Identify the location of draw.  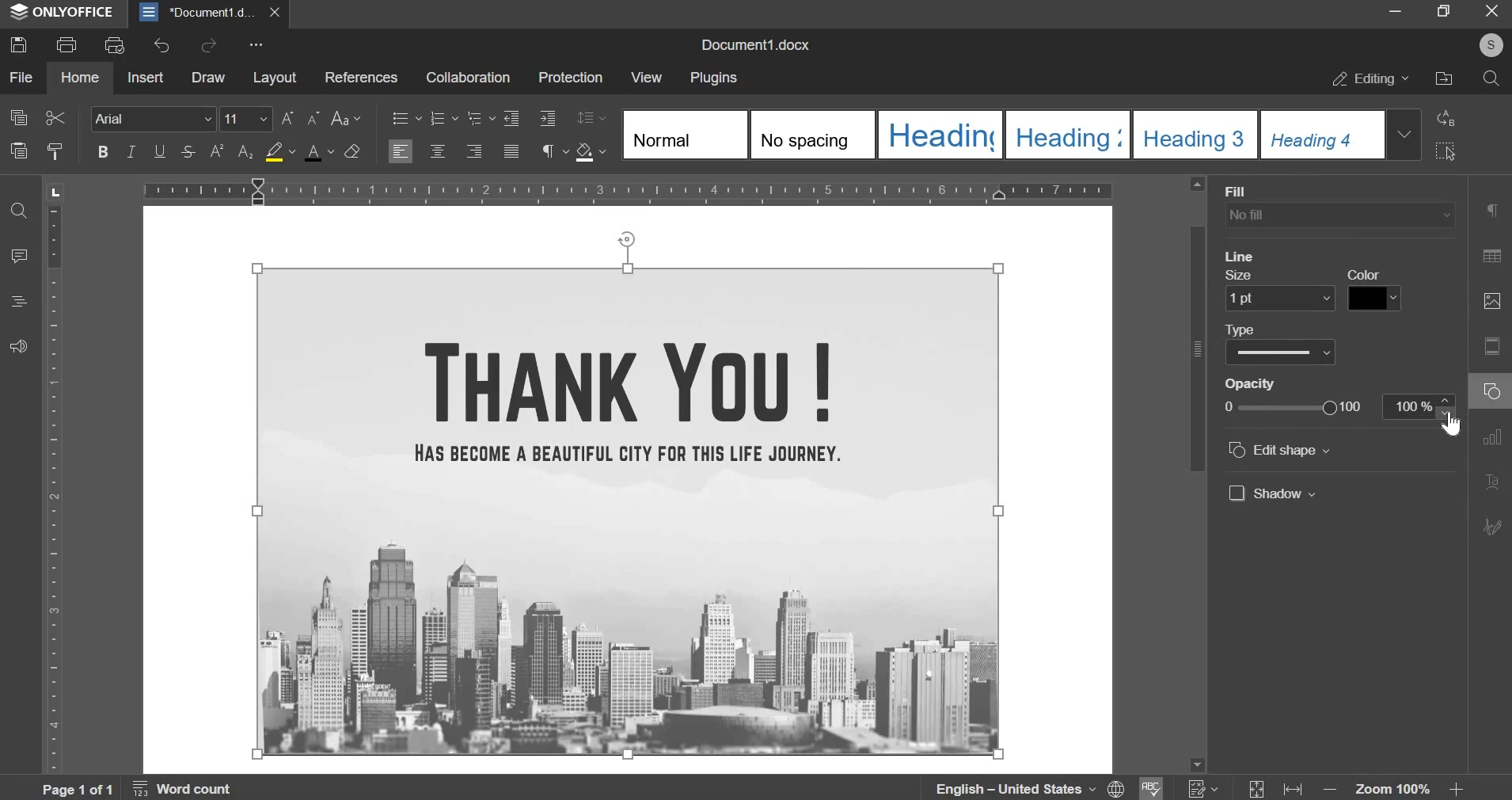
(208, 76).